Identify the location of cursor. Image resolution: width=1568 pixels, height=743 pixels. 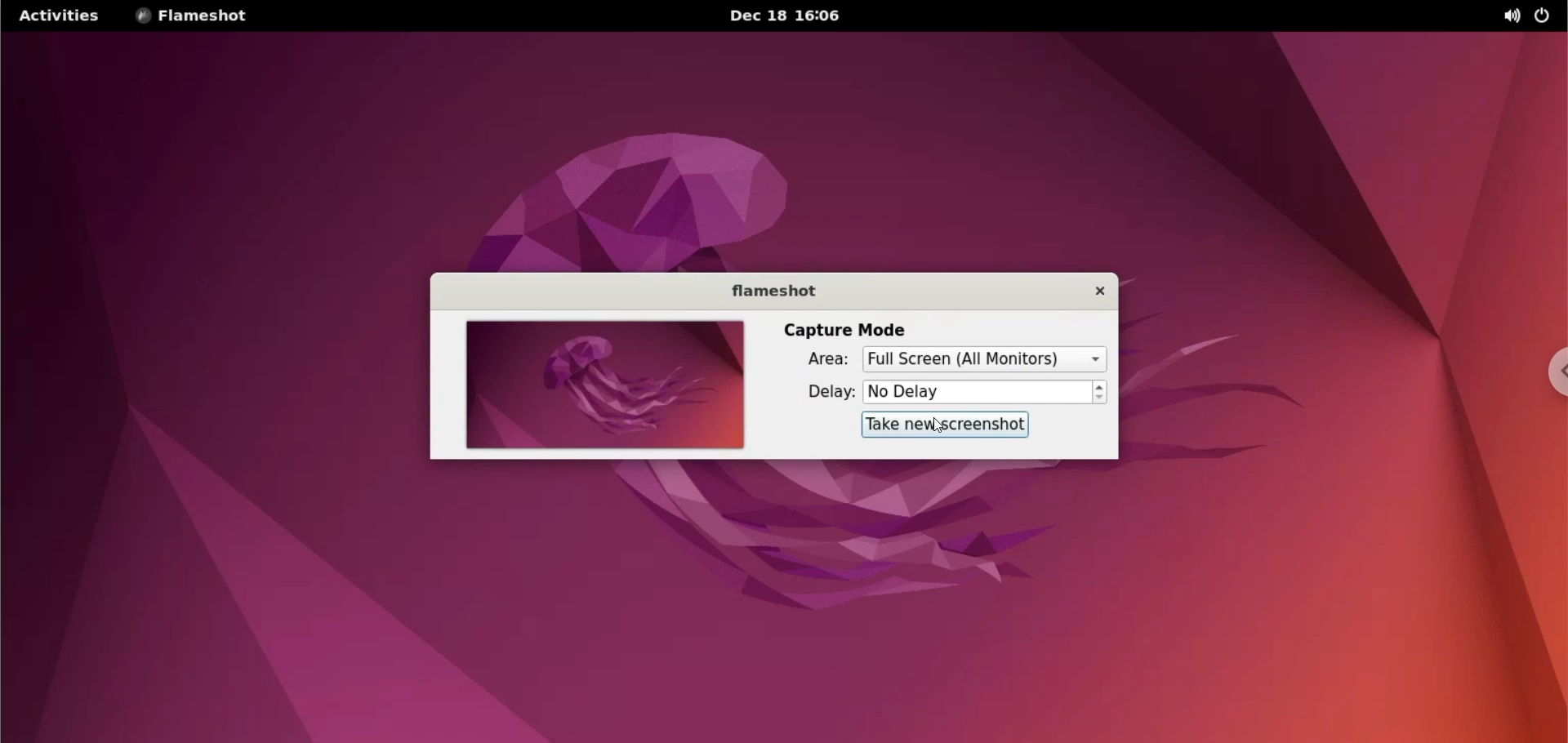
(945, 425).